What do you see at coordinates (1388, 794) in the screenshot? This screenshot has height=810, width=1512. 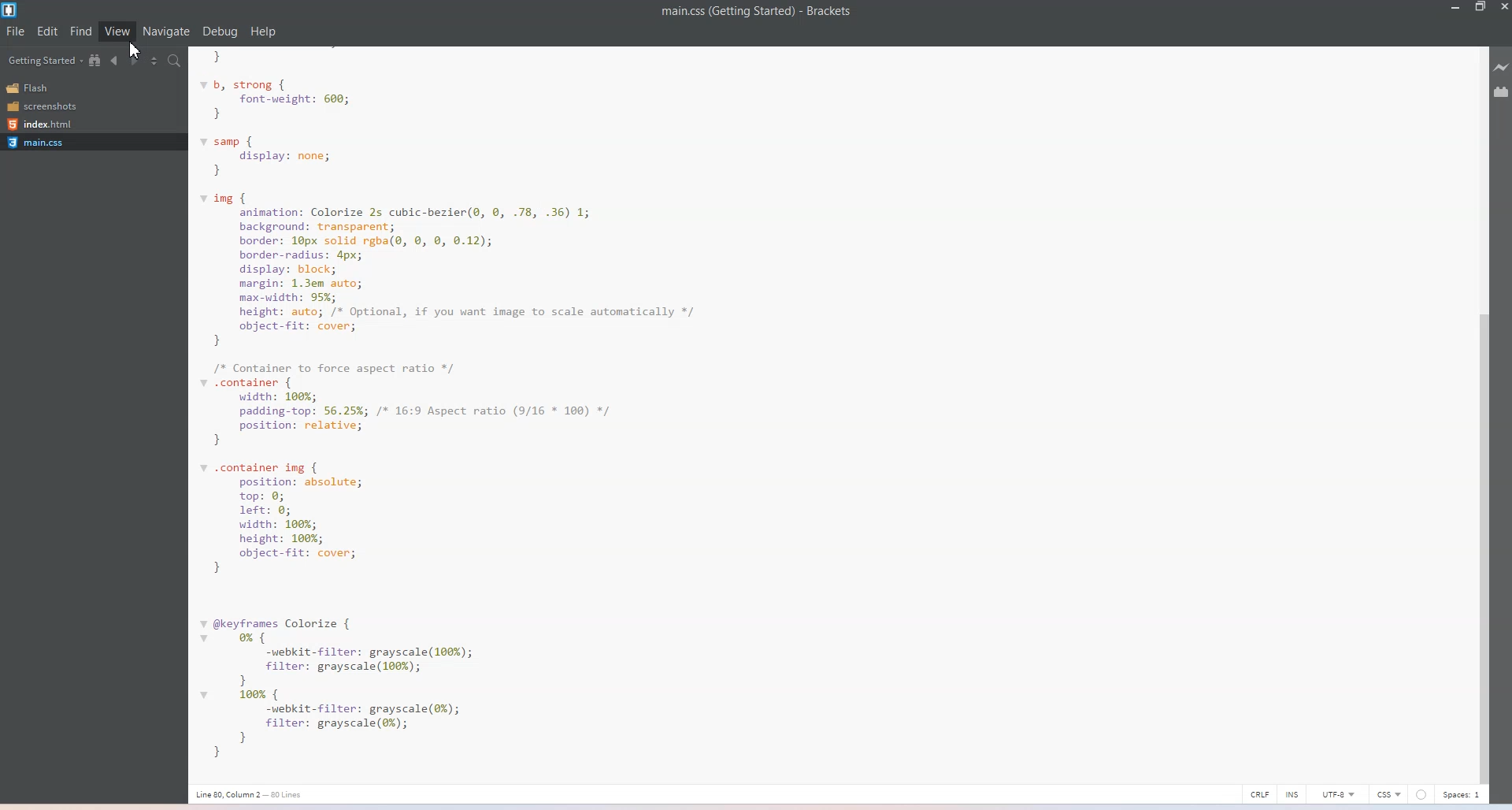 I see `CSS` at bounding box center [1388, 794].